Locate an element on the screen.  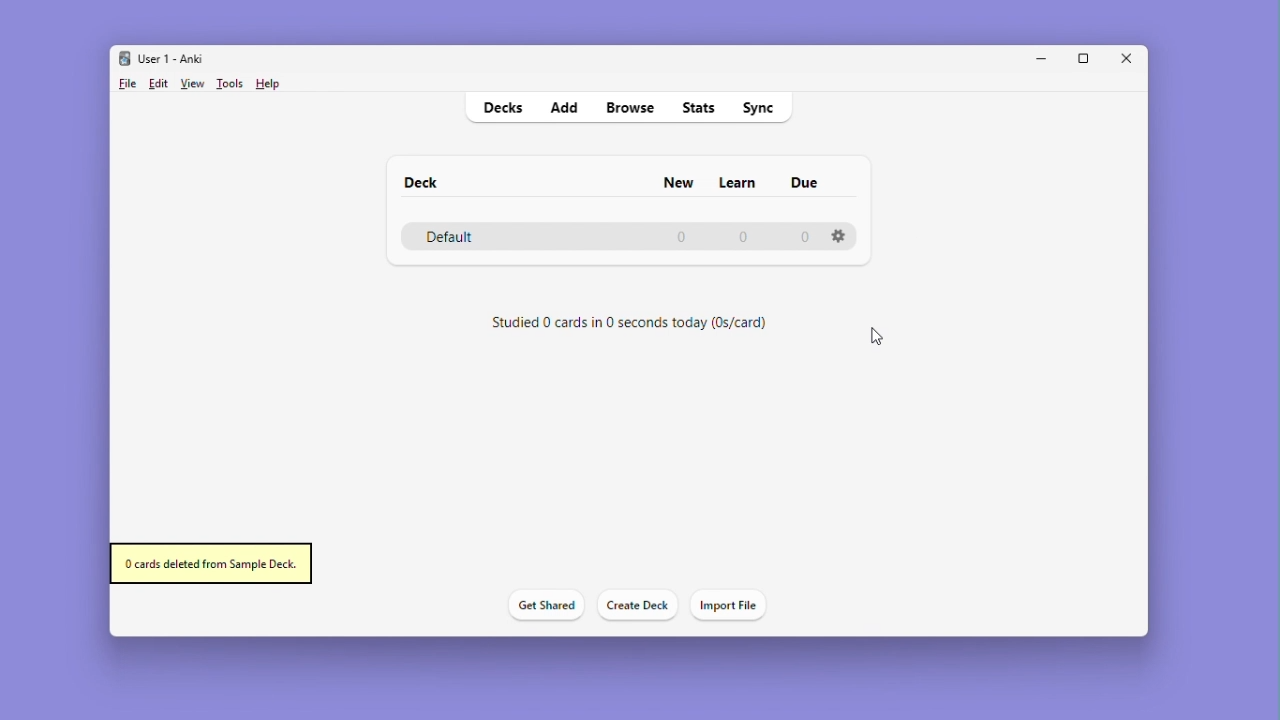
User 1 - Anki is located at coordinates (166, 58).